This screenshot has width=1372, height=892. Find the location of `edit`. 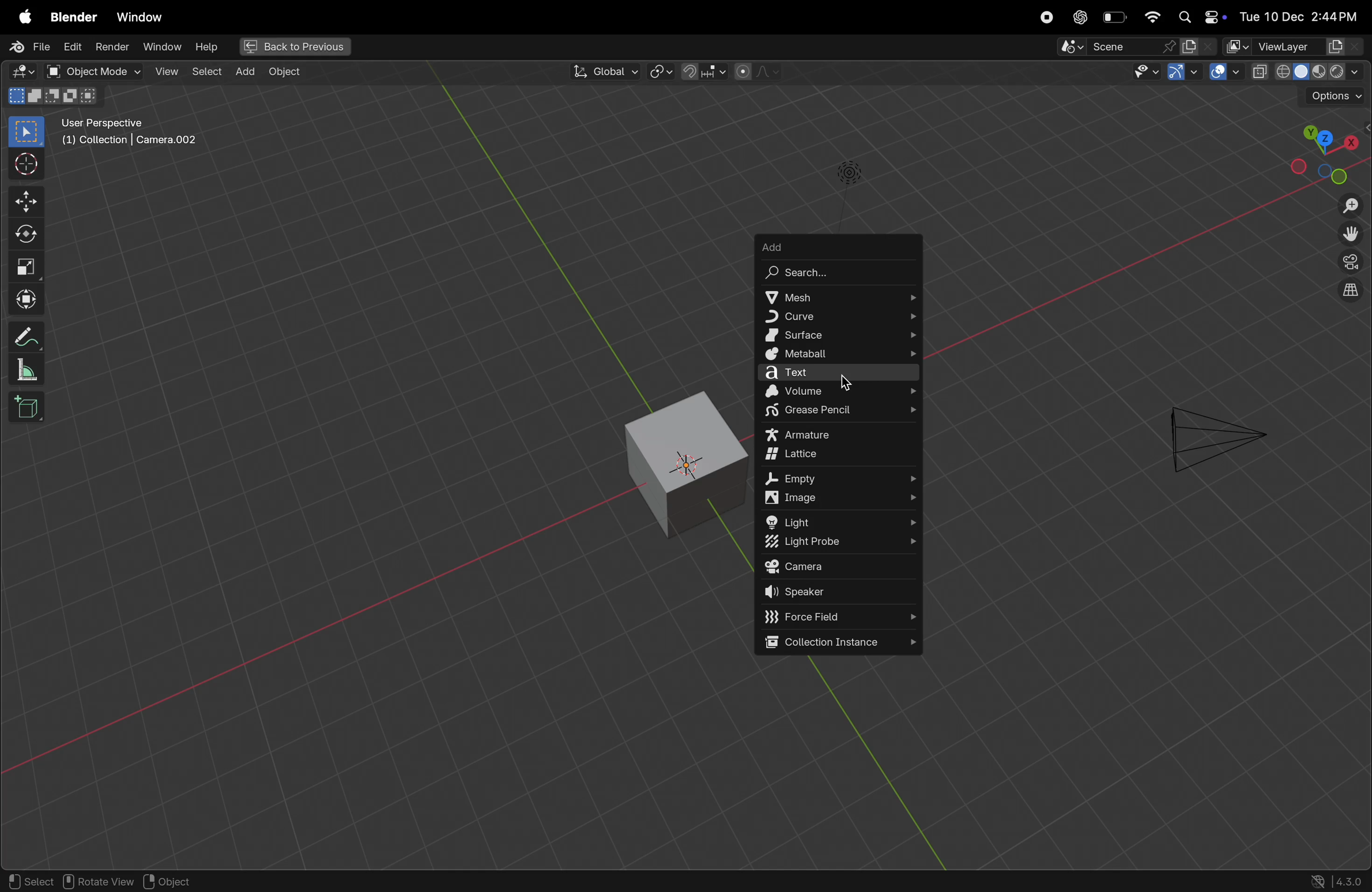

edit is located at coordinates (74, 48).